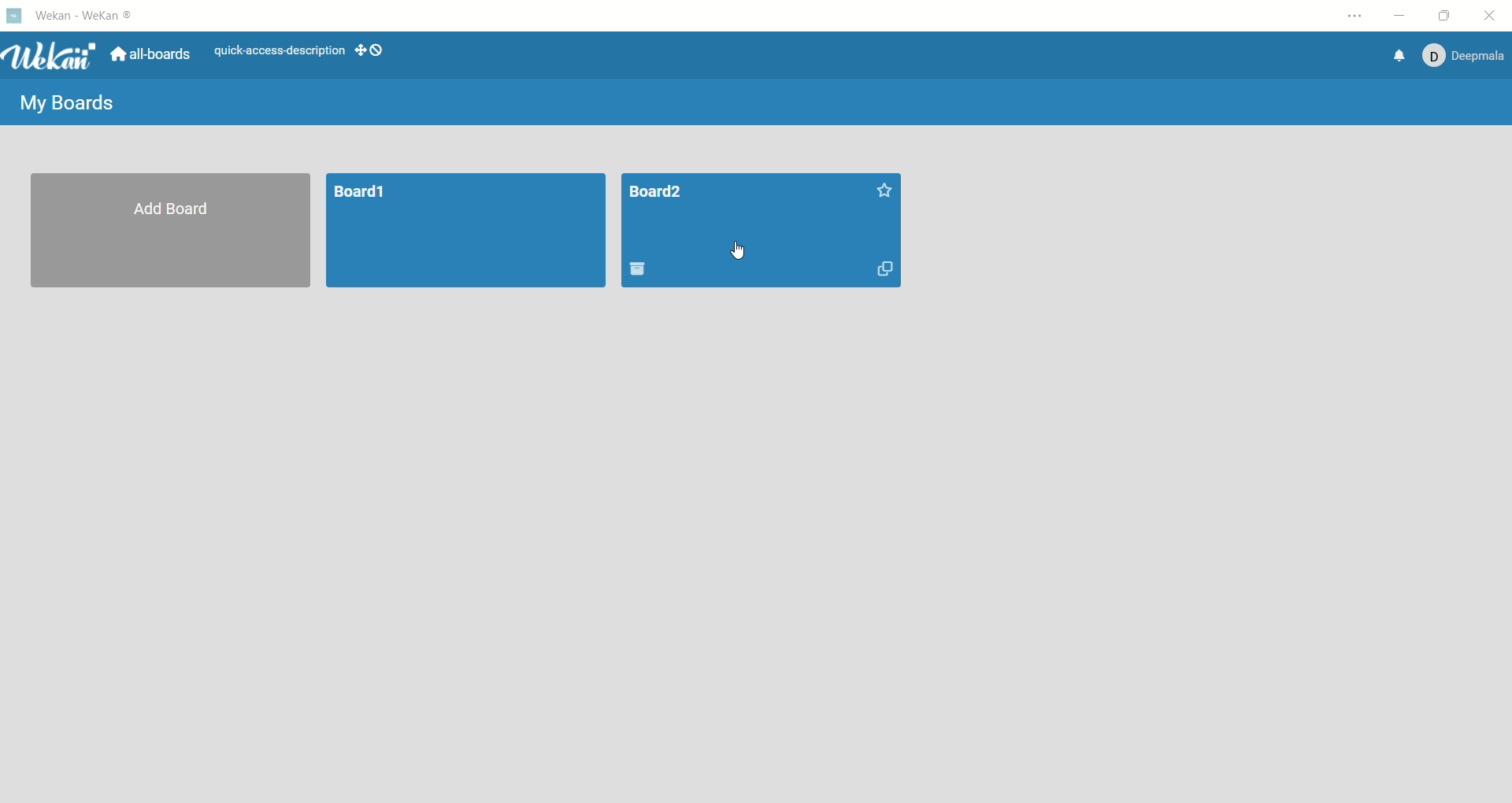 The width and height of the screenshot is (1512, 803). Describe the element at coordinates (1440, 16) in the screenshot. I see `maximize` at that location.